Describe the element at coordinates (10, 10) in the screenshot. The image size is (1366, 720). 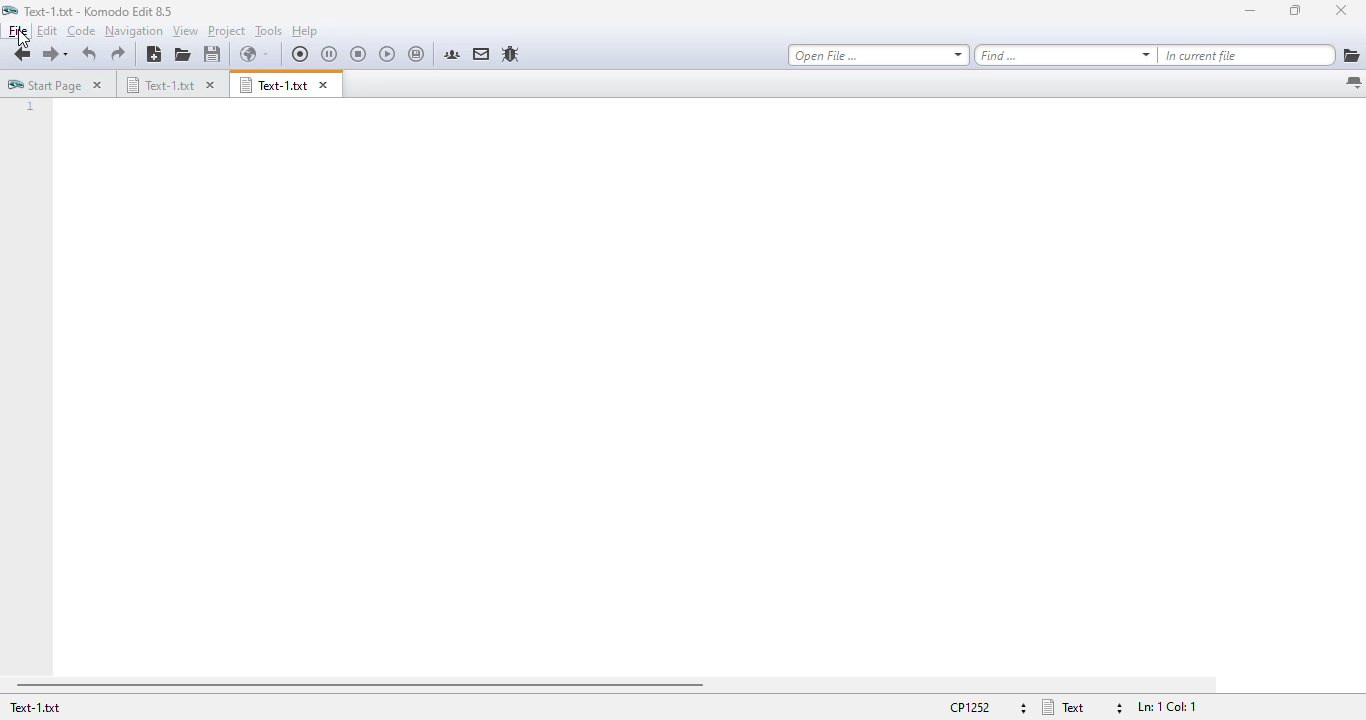
I see `logo` at that location.